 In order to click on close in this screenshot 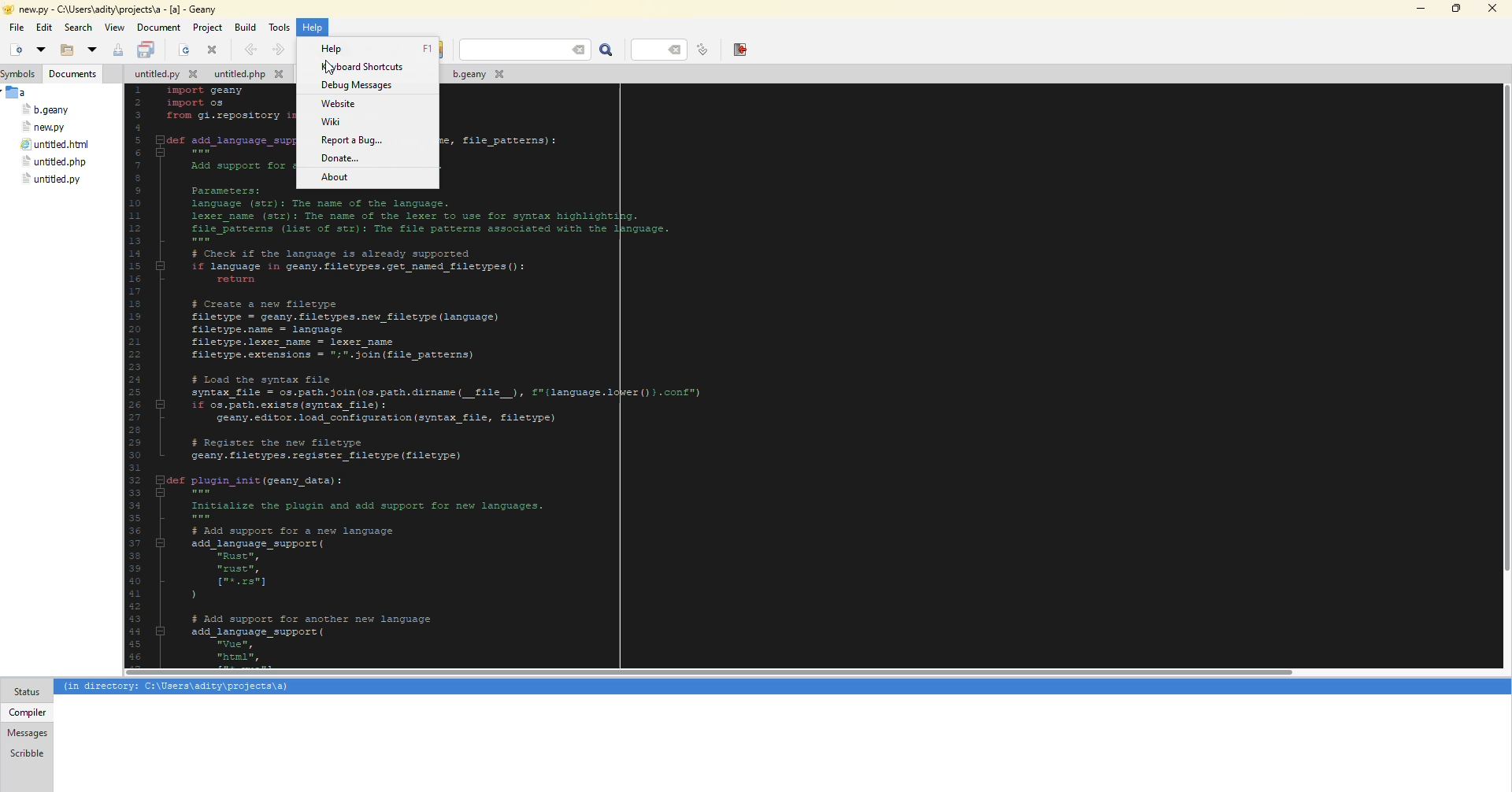, I will do `click(213, 50)`.